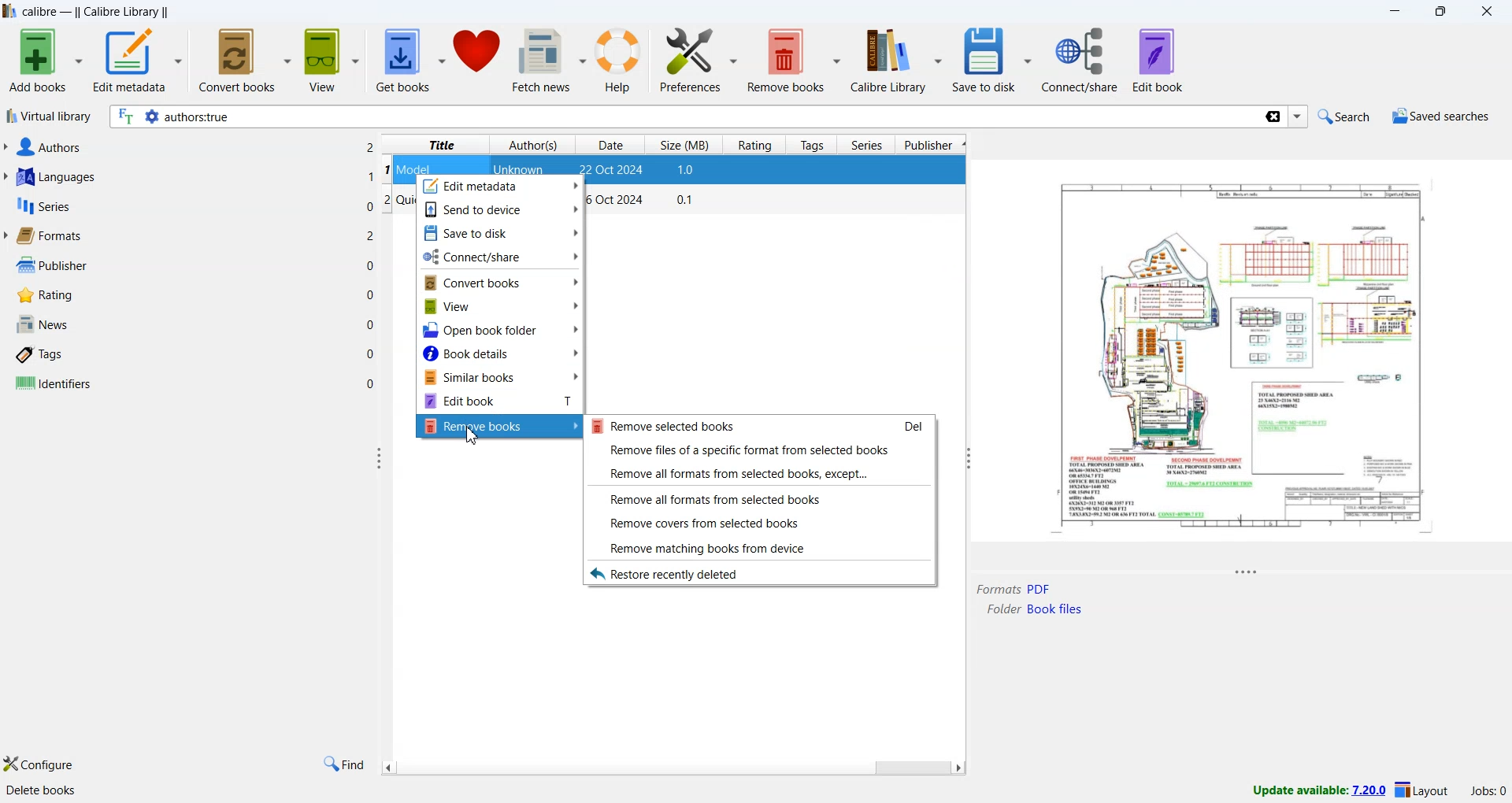 The width and height of the screenshot is (1512, 803). Describe the element at coordinates (1399, 13) in the screenshot. I see `minimize` at that location.